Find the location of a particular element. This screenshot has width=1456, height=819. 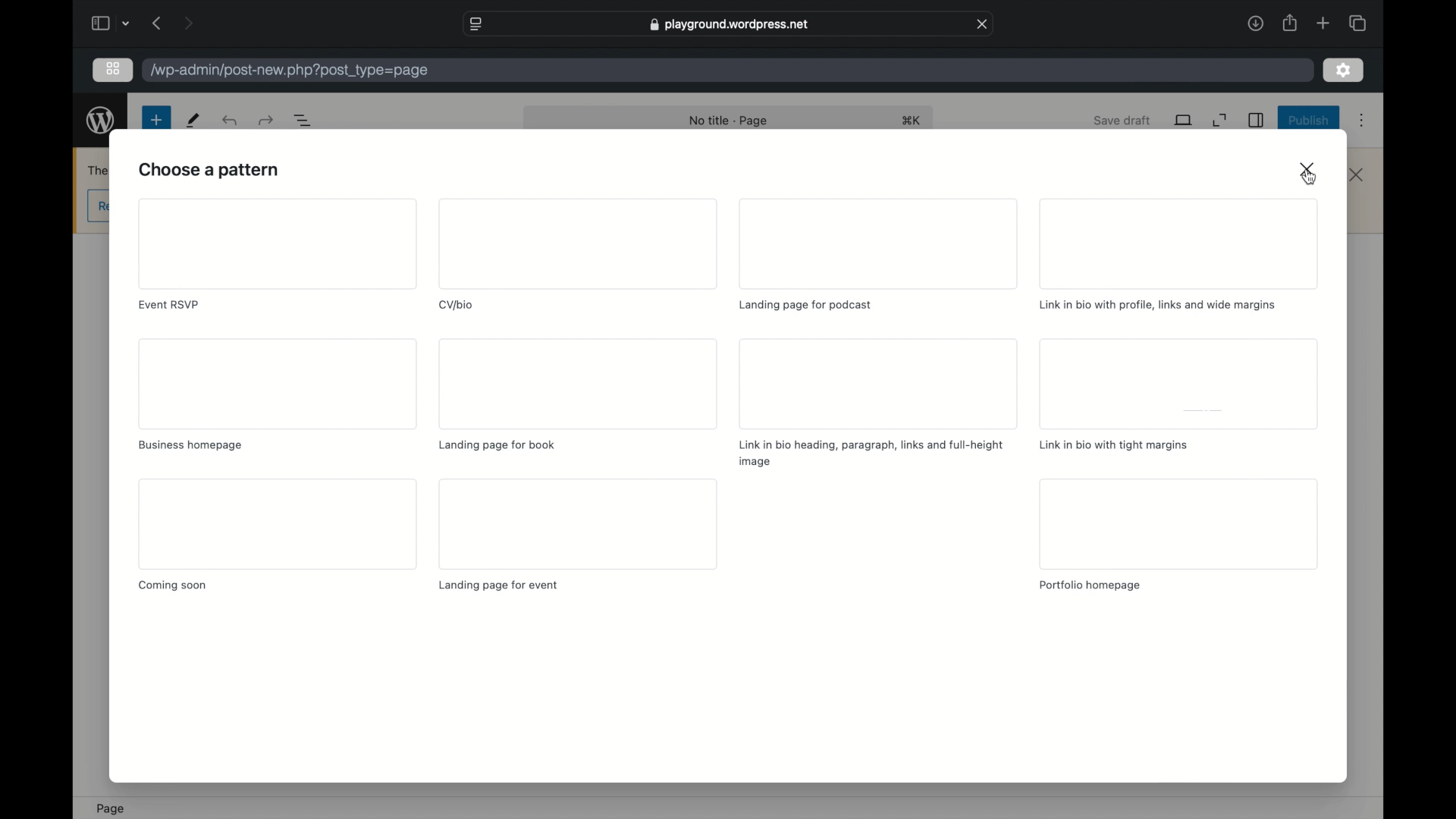

landing page for event is located at coordinates (497, 585).